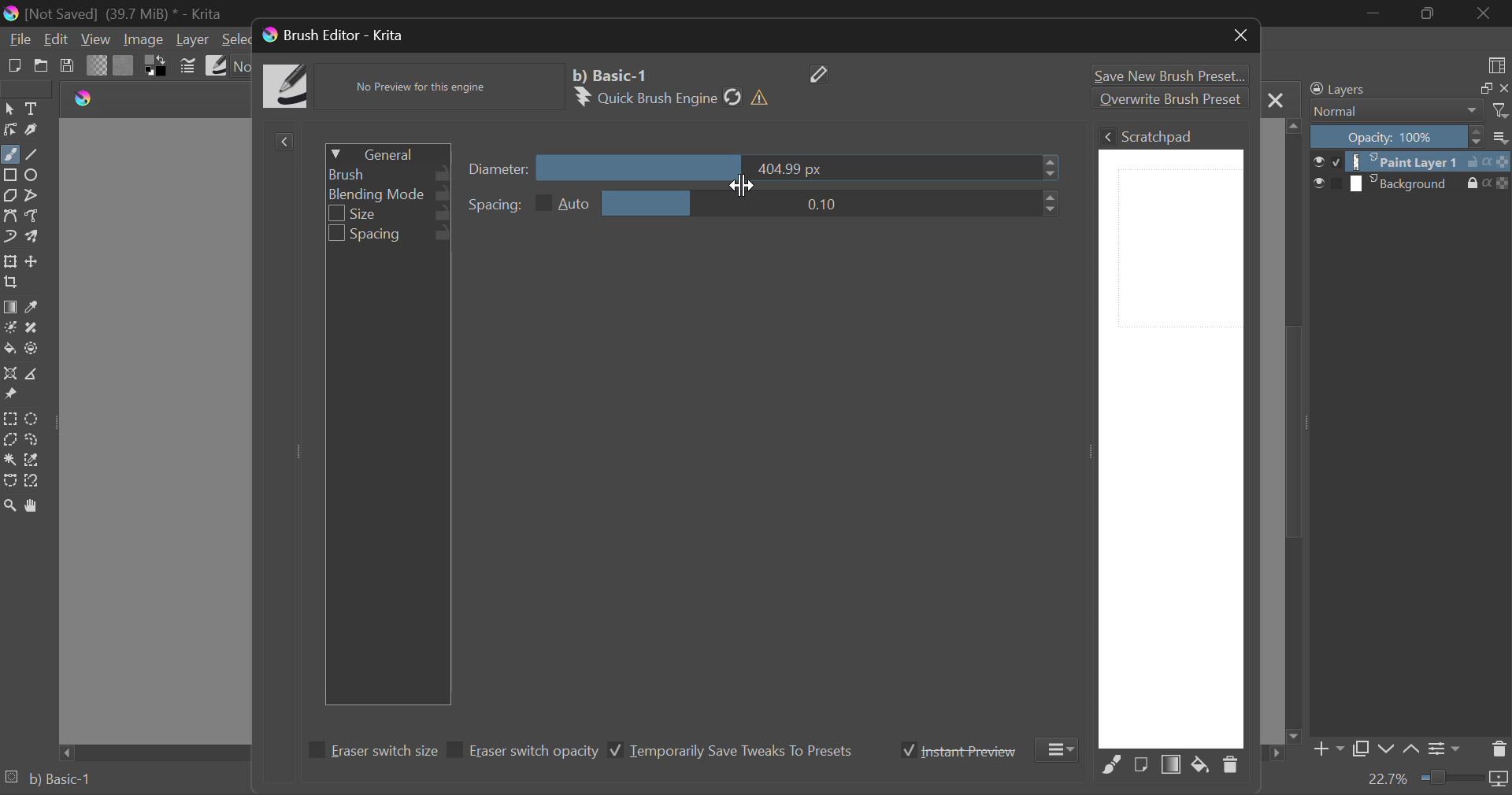 The width and height of the screenshot is (1512, 795). Describe the element at coordinates (32, 419) in the screenshot. I see `Circular Selection` at that location.